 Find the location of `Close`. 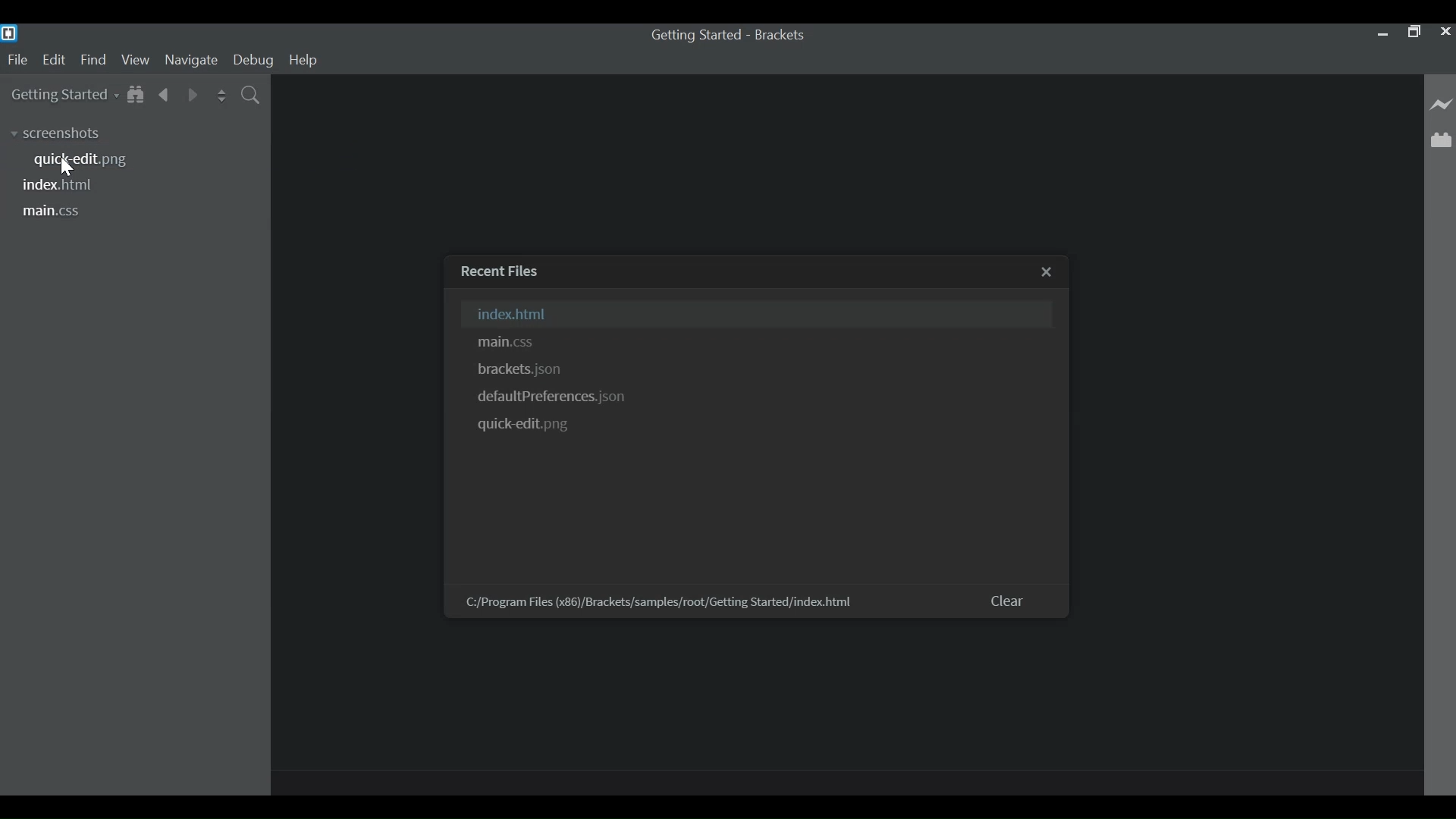

Close is located at coordinates (1444, 31).